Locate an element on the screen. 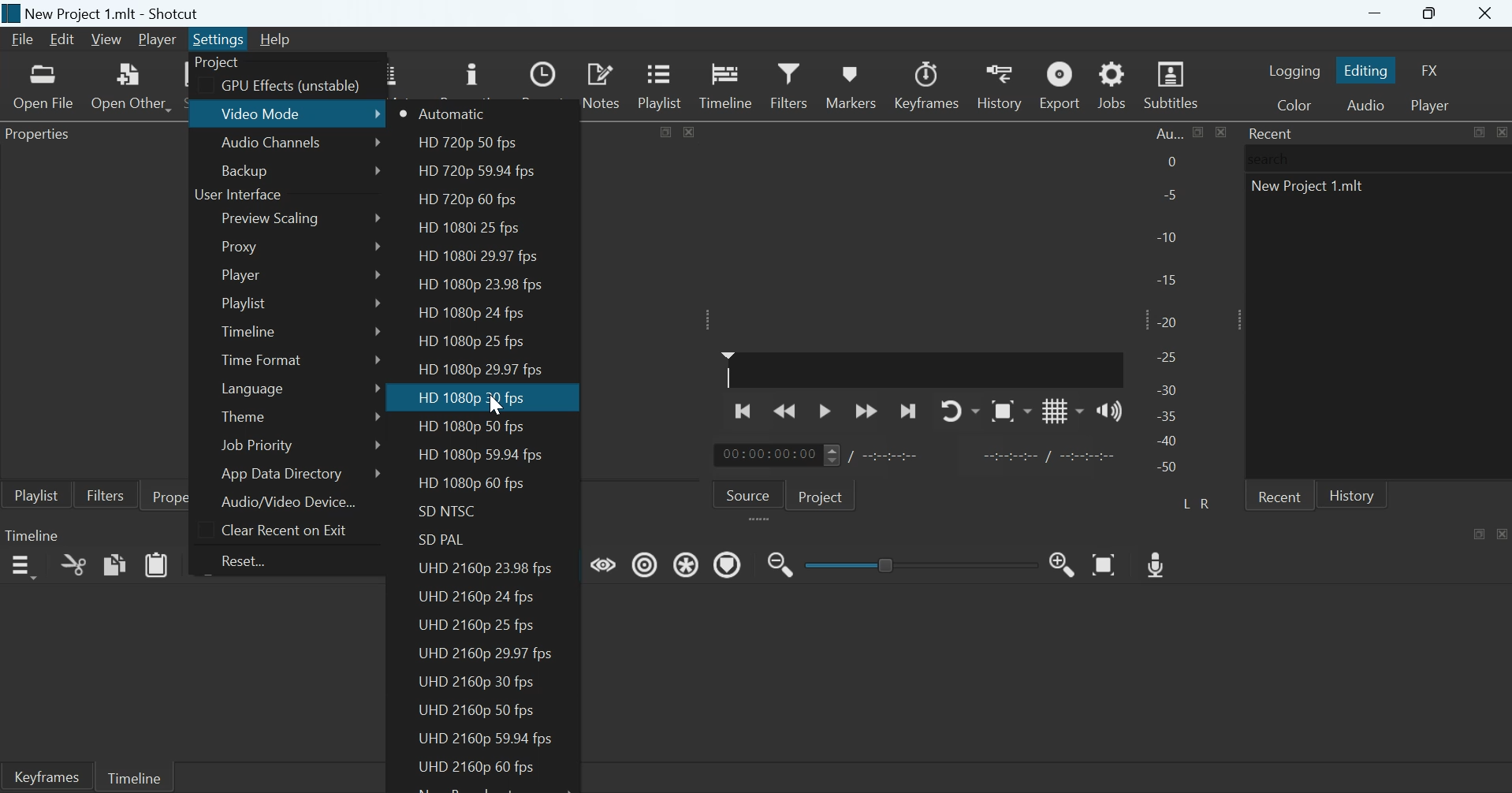  Close is located at coordinates (1501, 132).